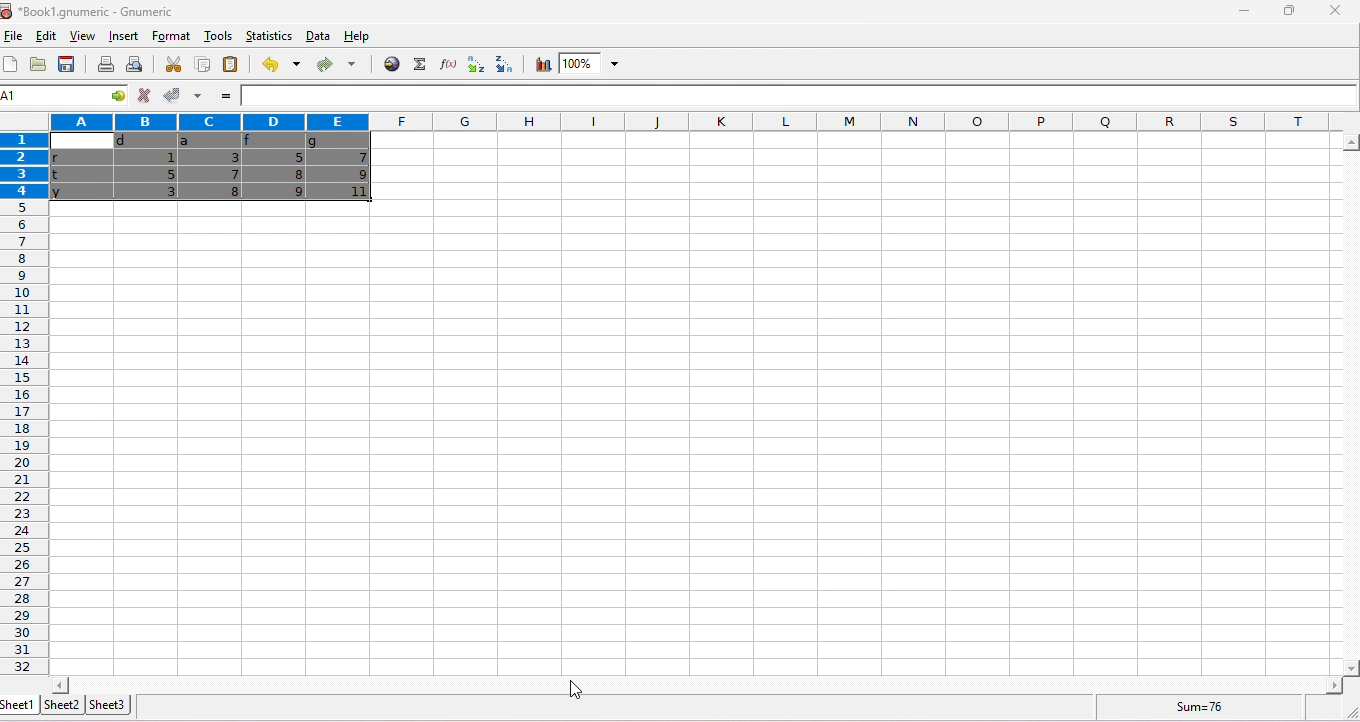 The width and height of the screenshot is (1360, 722). What do you see at coordinates (121, 36) in the screenshot?
I see `insert` at bounding box center [121, 36].